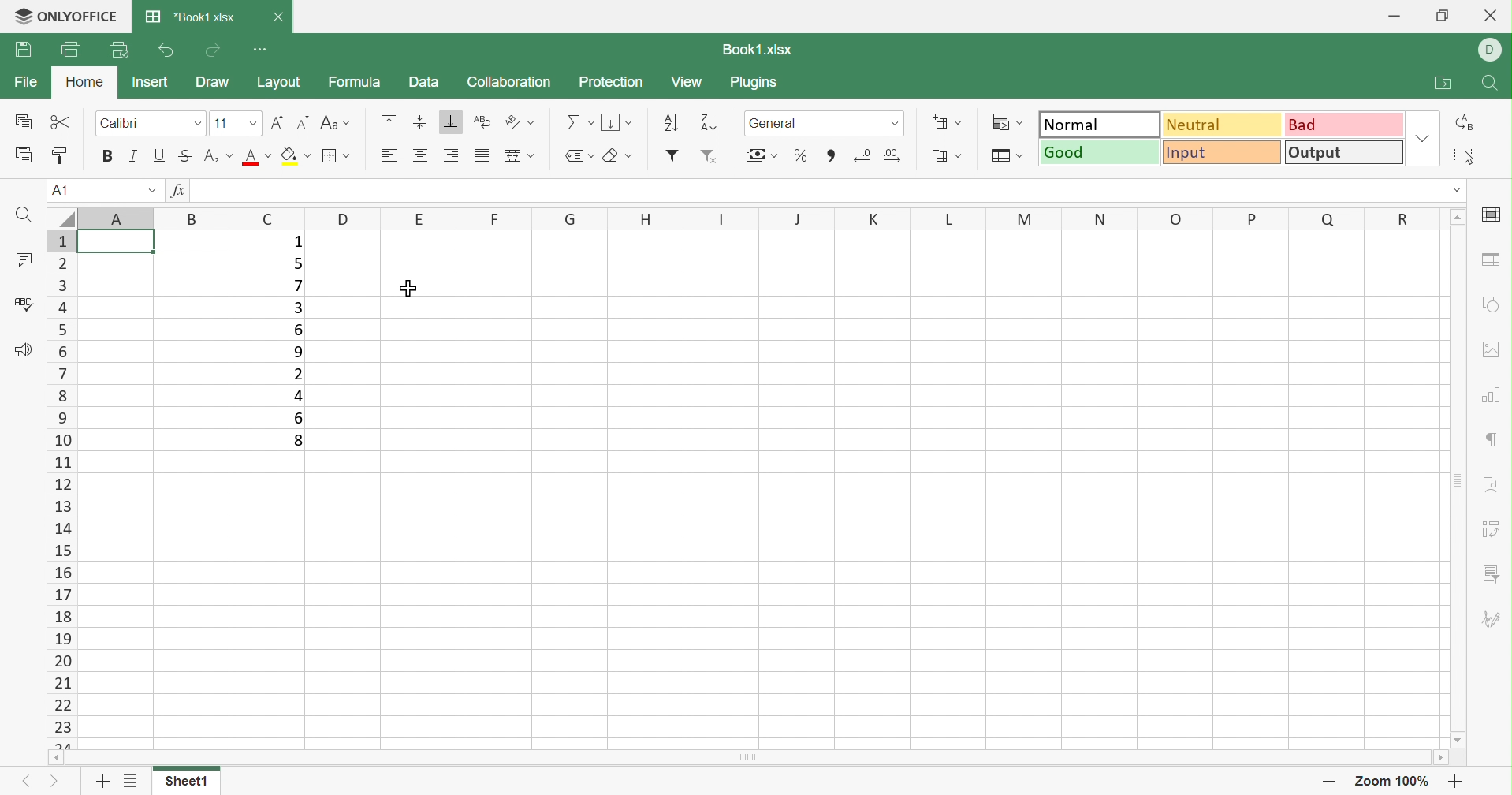 The image size is (1512, 795). What do you see at coordinates (1458, 192) in the screenshot?
I see `Drop Down` at bounding box center [1458, 192].